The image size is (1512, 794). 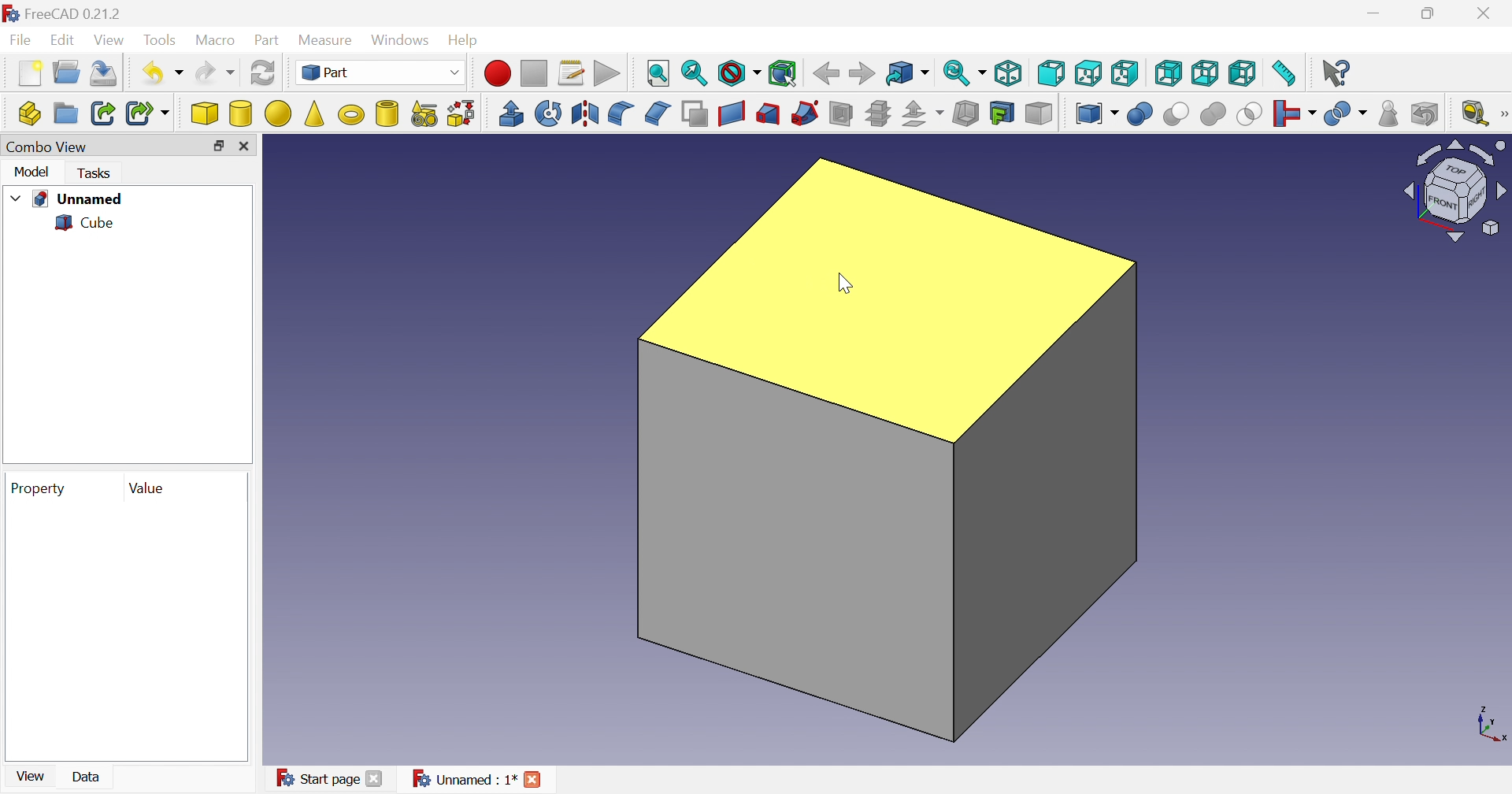 I want to click on Got to linked object, so click(x=908, y=72).